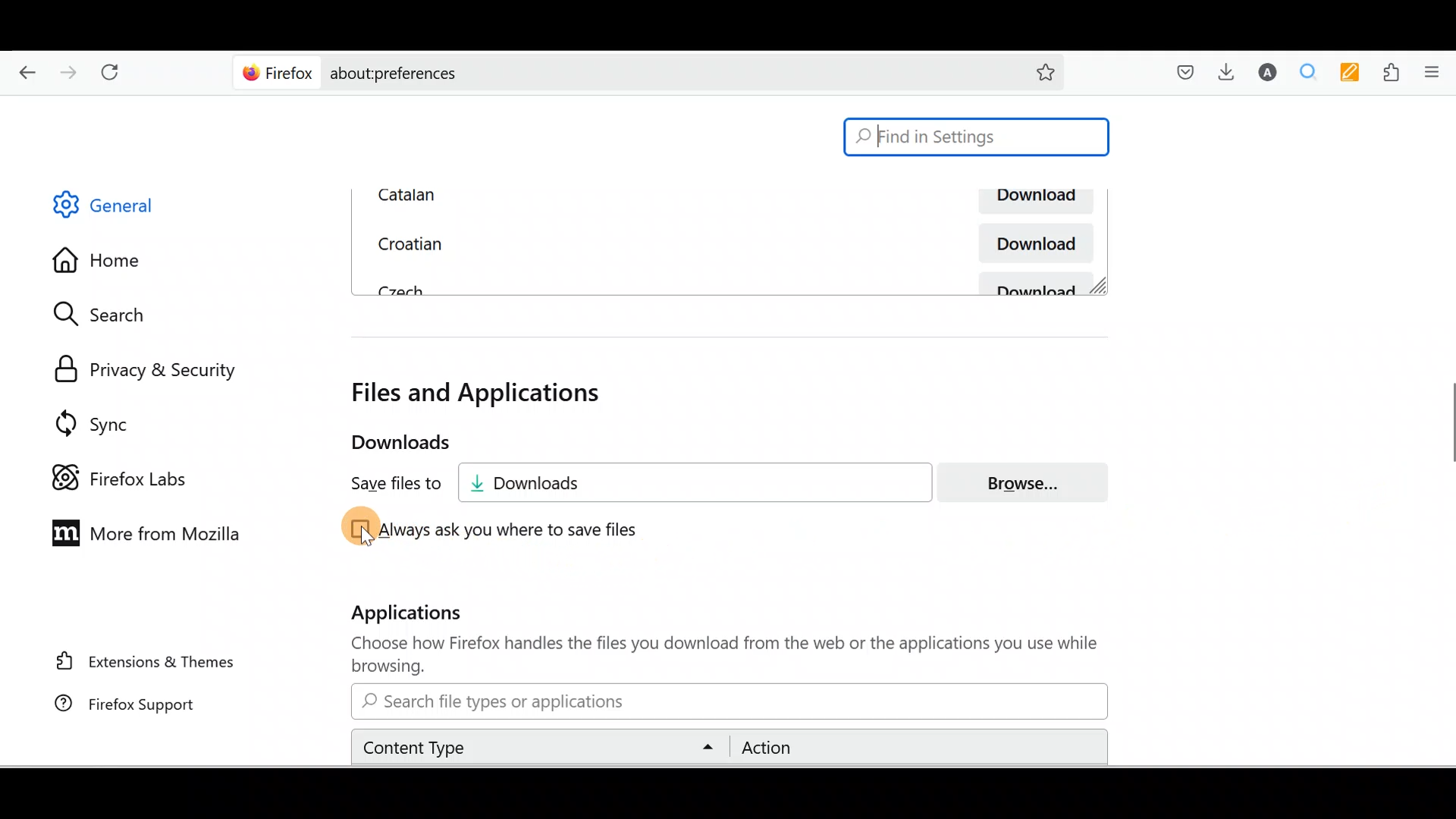 The width and height of the screenshot is (1456, 819). I want to click on More from Mozilla, so click(149, 535).